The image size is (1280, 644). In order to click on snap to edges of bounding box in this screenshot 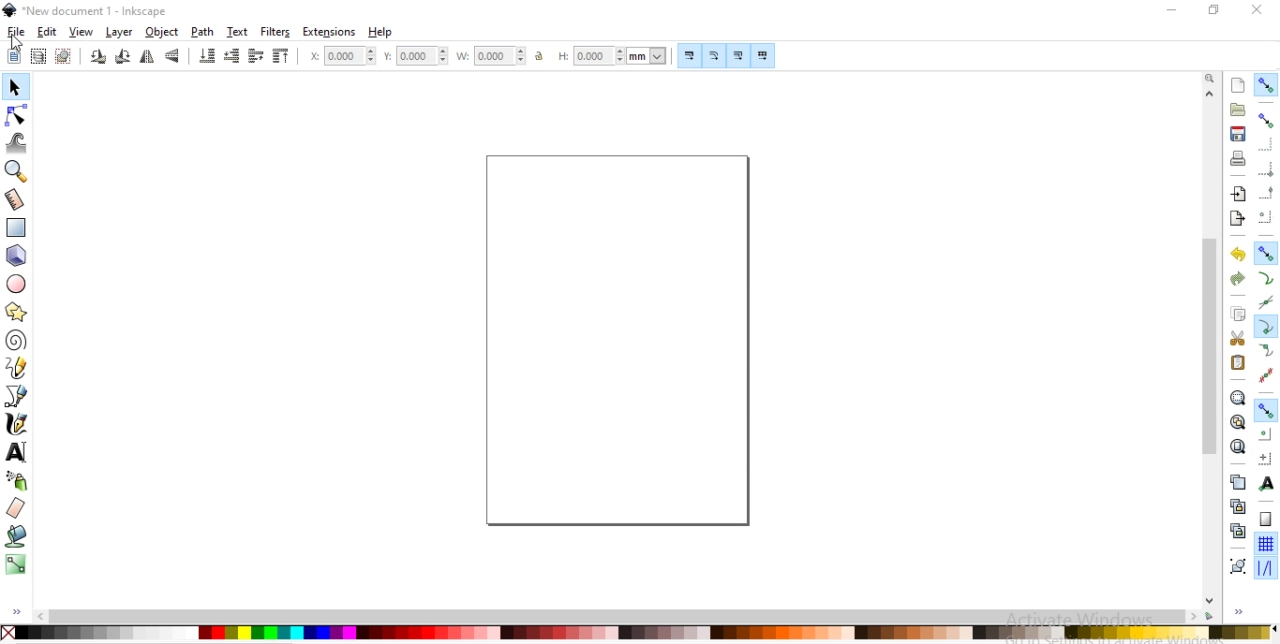, I will do `click(1267, 144)`.